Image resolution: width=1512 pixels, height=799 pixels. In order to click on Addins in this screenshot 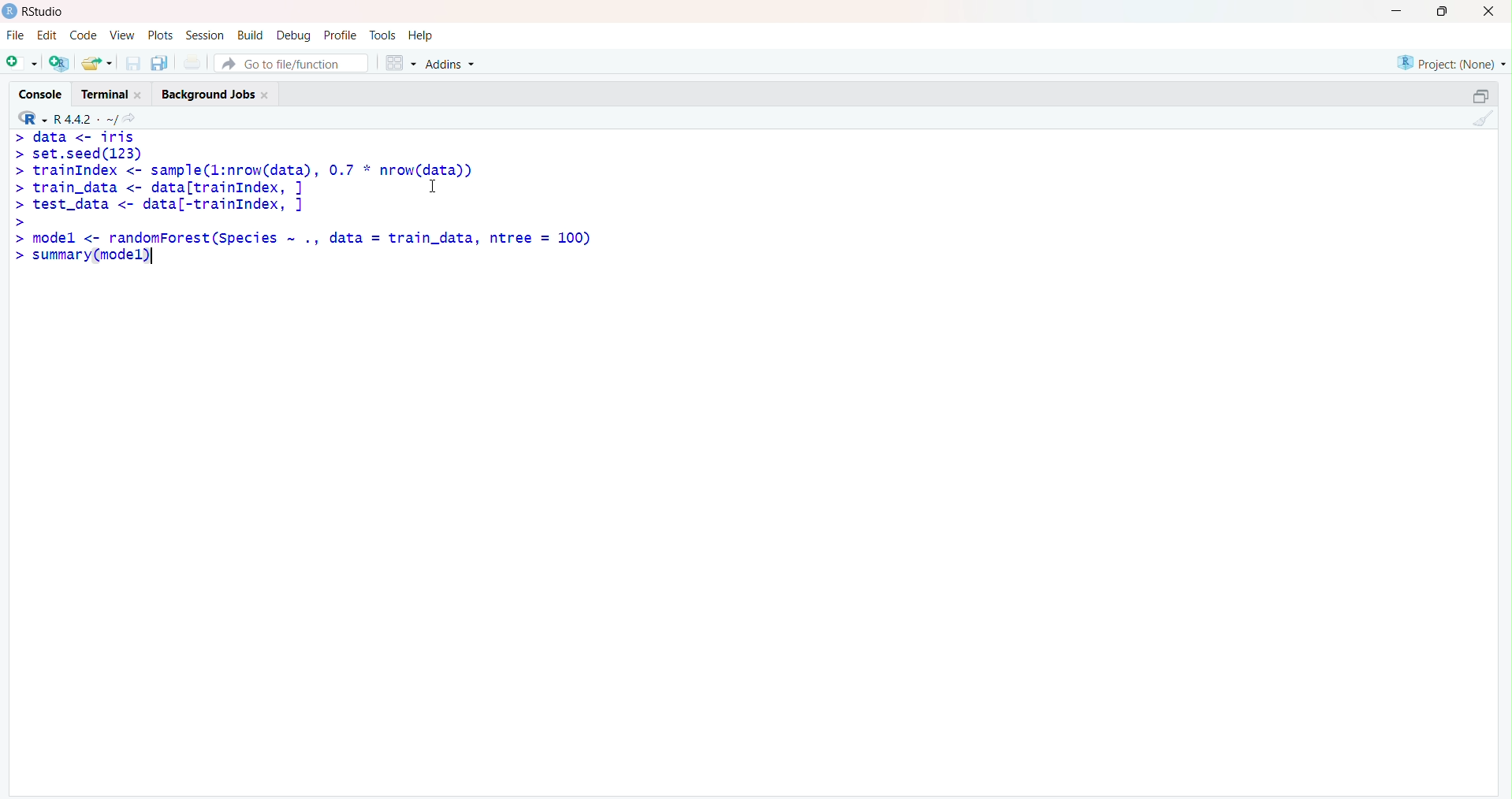, I will do `click(452, 62)`.